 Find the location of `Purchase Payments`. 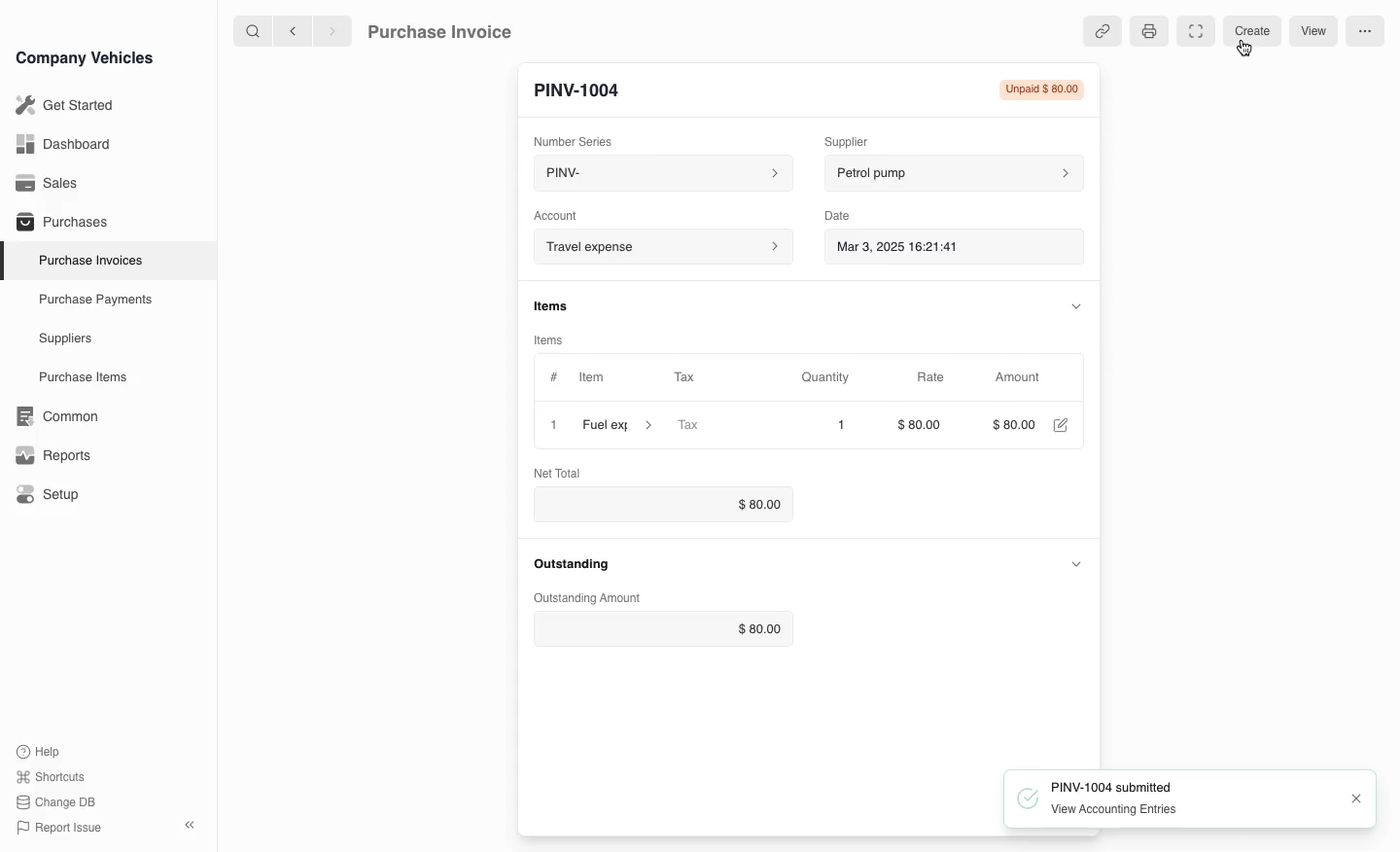

Purchase Payments is located at coordinates (93, 300).